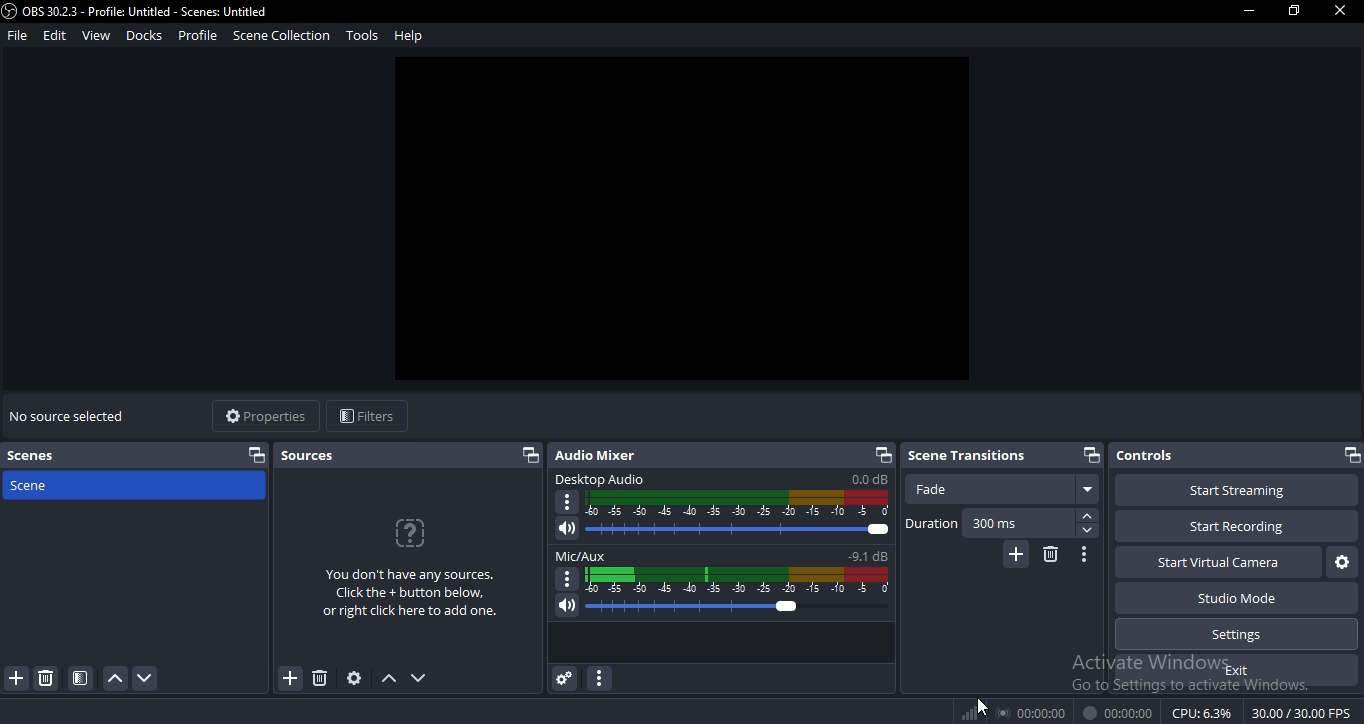 The height and width of the screenshot is (724, 1364). Describe the element at coordinates (64, 484) in the screenshot. I see `scene` at that location.